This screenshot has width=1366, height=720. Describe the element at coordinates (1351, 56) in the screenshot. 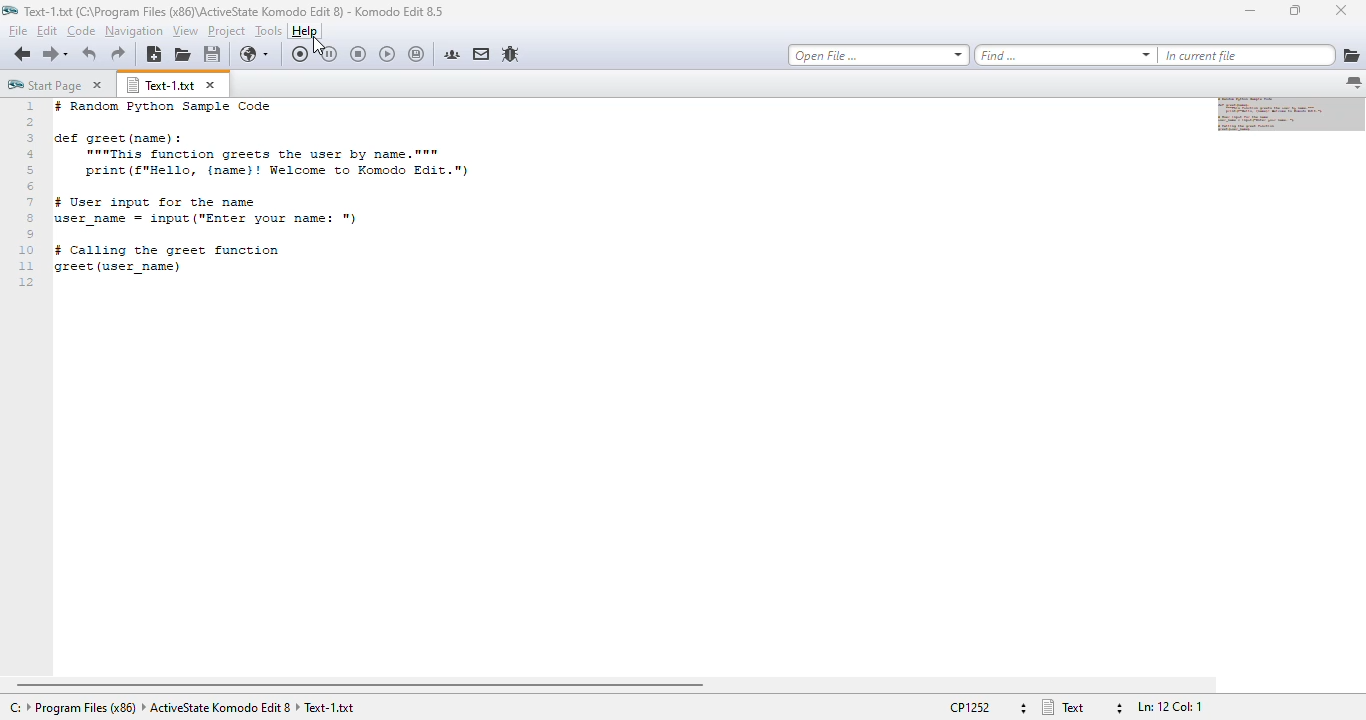

I see `browse for directories to add to search list` at that location.